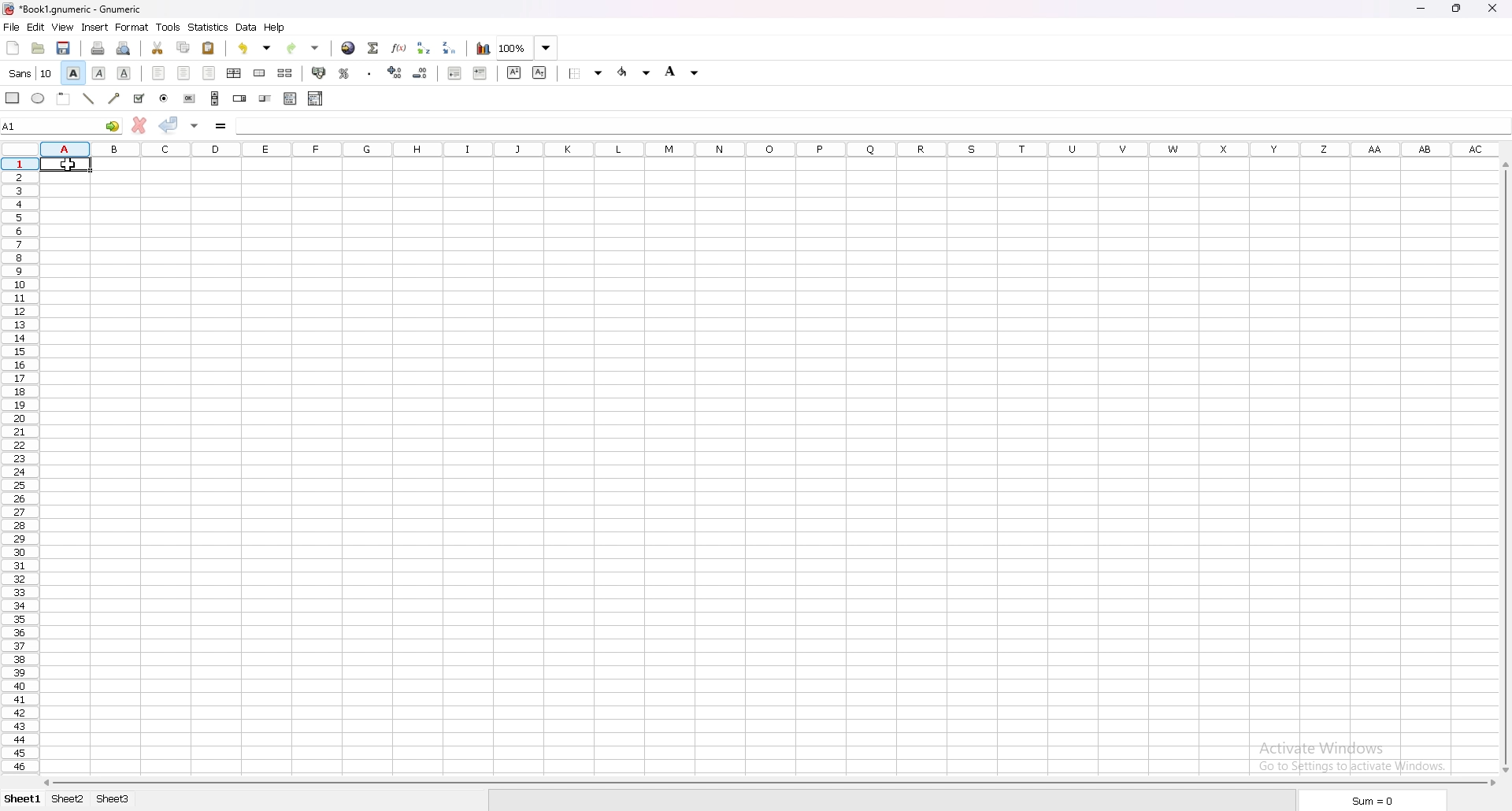 The width and height of the screenshot is (1512, 811). Describe the element at coordinates (399, 48) in the screenshot. I see `functions` at that location.